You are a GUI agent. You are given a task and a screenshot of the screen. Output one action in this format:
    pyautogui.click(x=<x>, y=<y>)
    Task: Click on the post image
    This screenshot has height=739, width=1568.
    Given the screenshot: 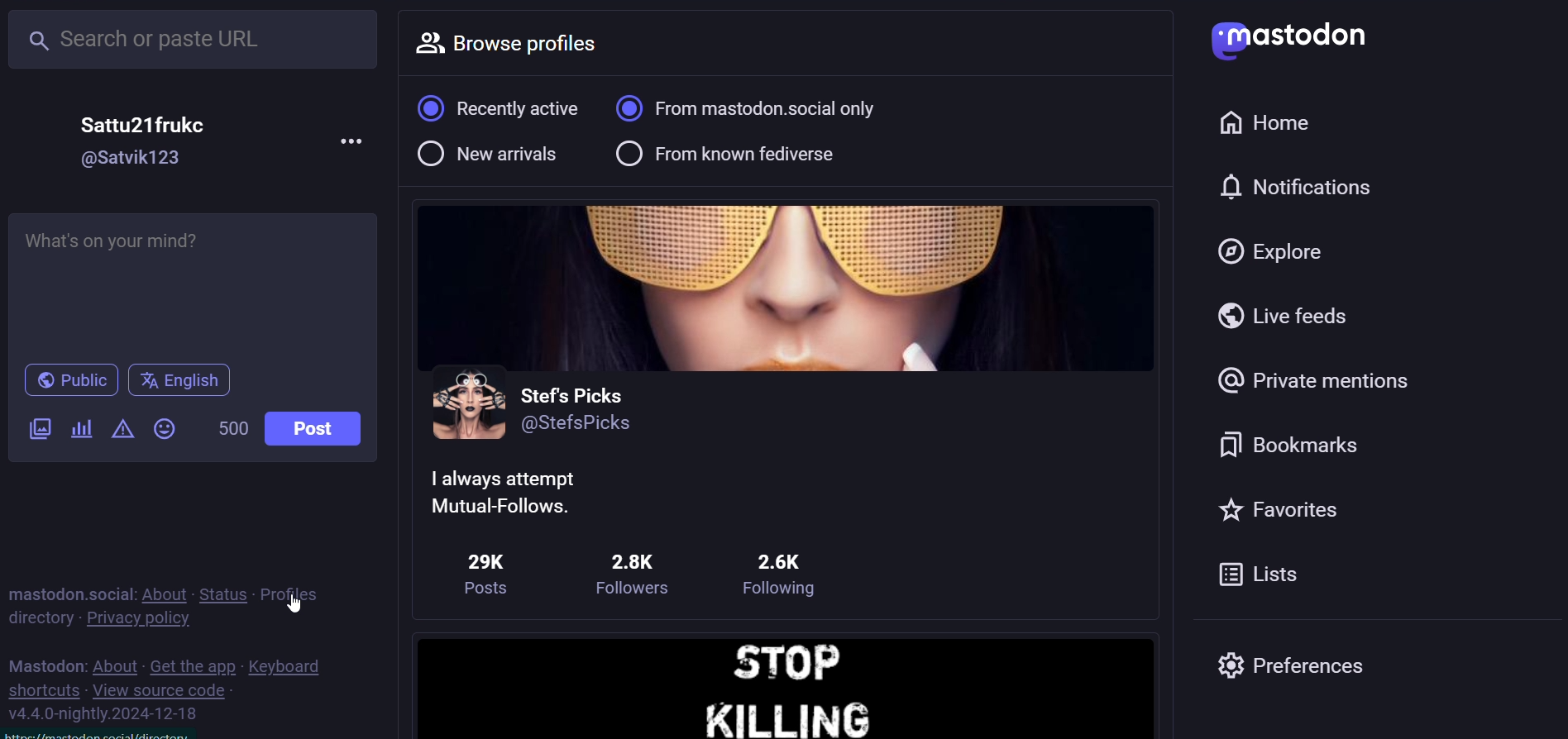 What is the action you would take?
    pyautogui.click(x=786, y=684)
    